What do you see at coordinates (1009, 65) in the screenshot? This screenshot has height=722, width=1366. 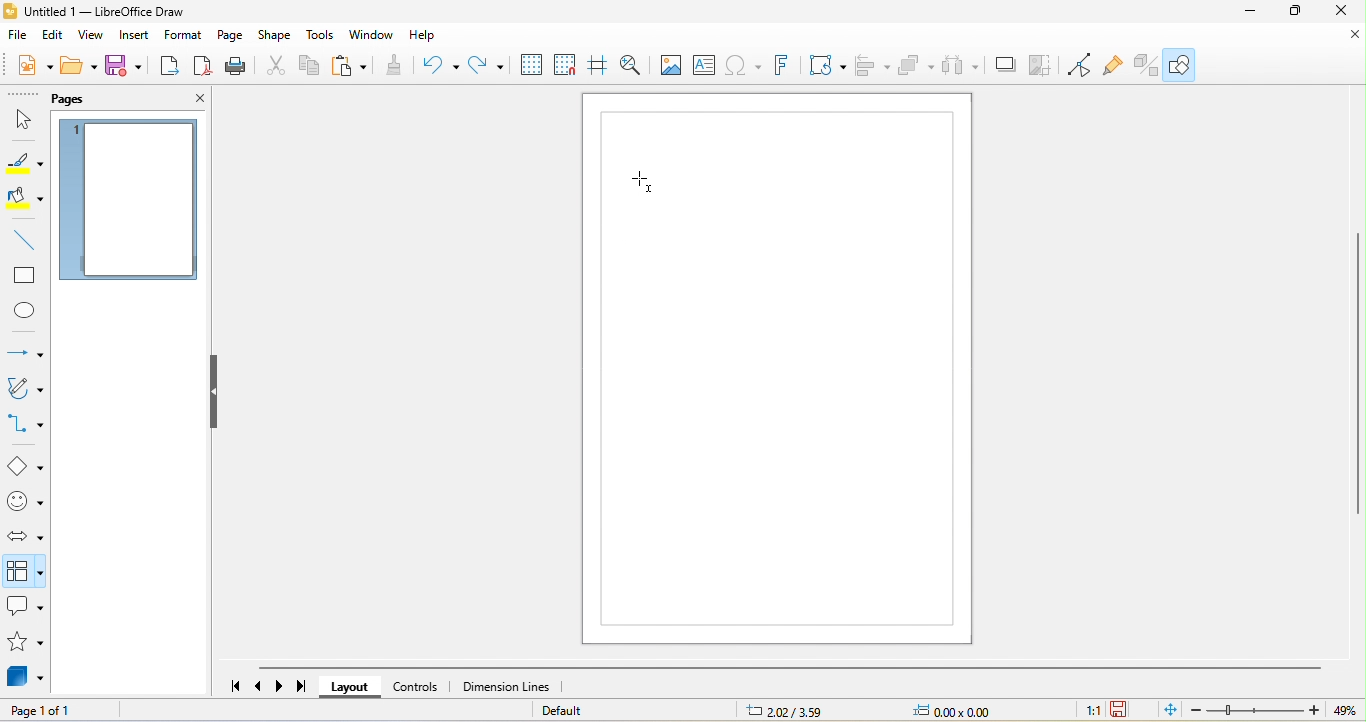 I see `shadow` at bounding box center [1009, 65].